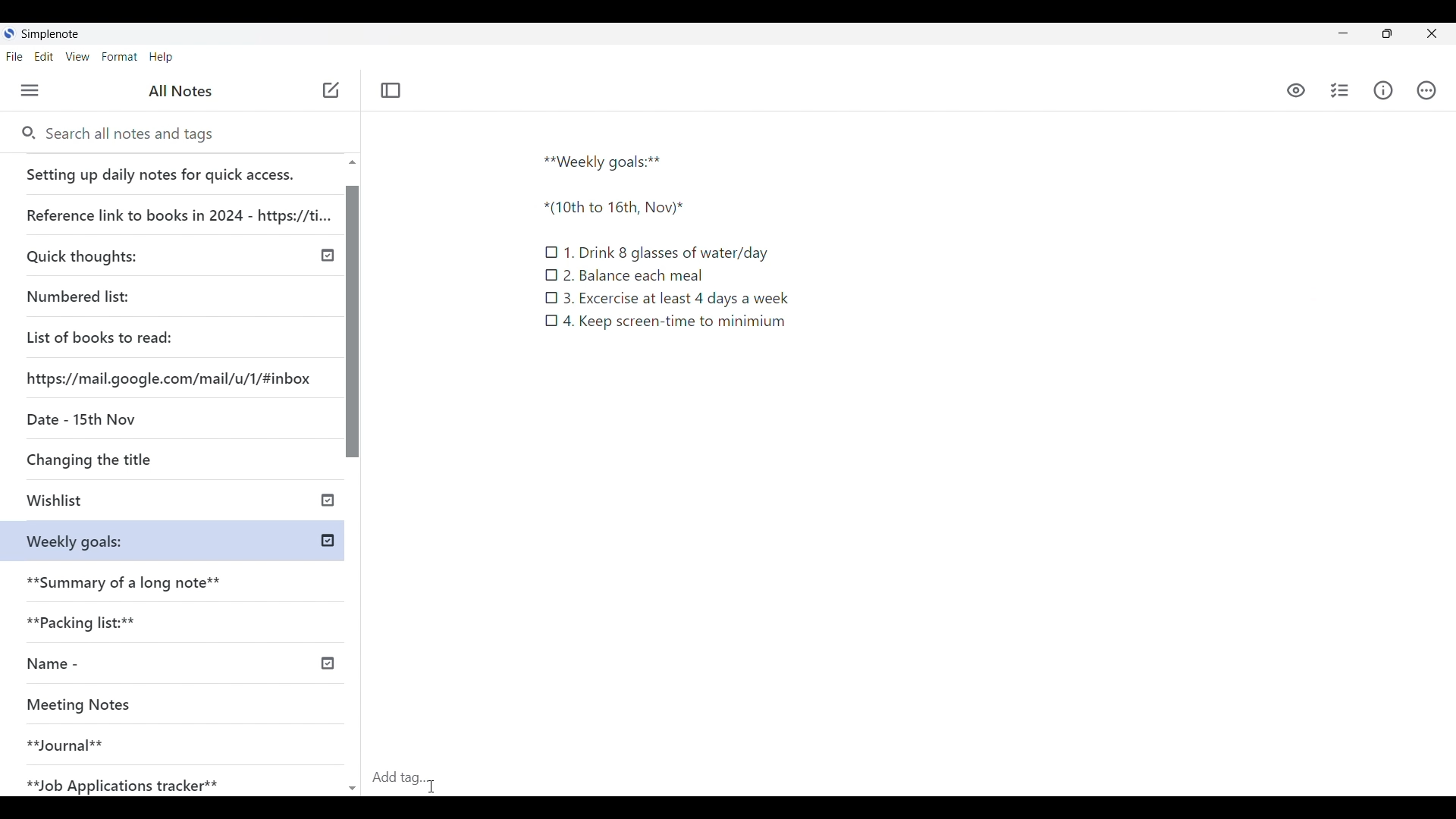  Describe the element at coordinates (120, 57) in the screenshot. I see `Format menu` at that location.